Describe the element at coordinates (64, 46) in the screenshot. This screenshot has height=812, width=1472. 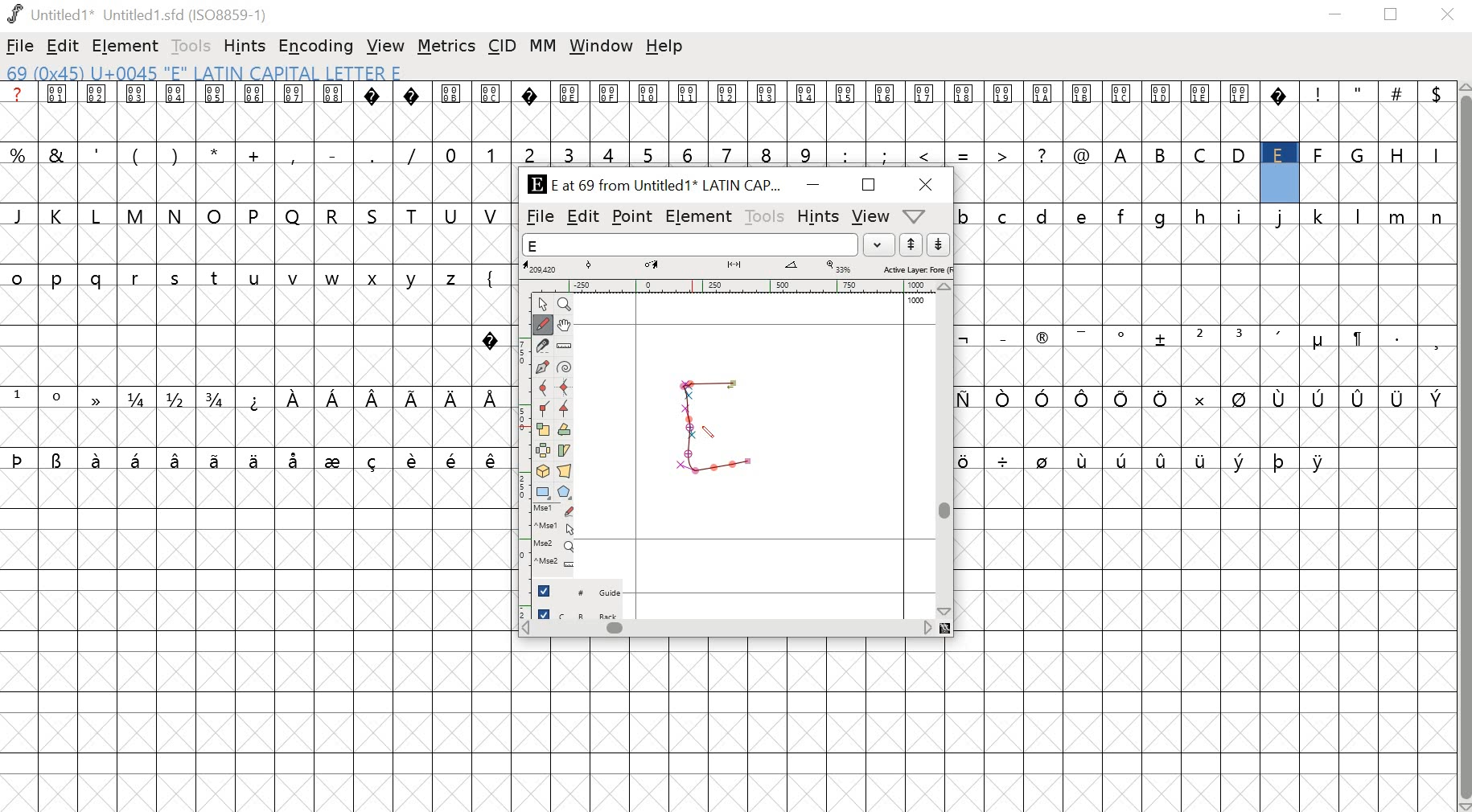
I see `edit` at that location.